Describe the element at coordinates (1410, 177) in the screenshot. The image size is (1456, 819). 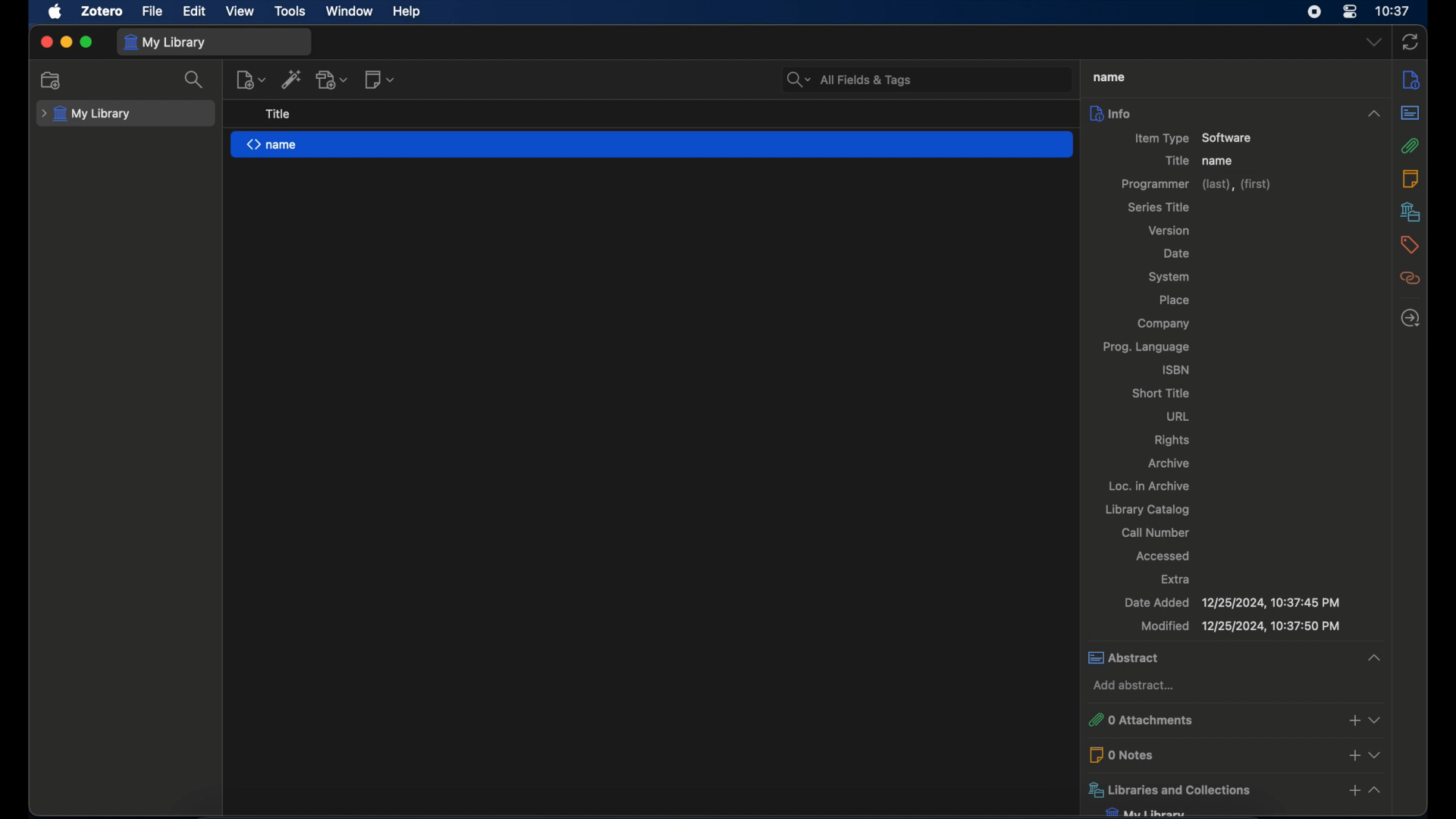
I see `notes` at that location.